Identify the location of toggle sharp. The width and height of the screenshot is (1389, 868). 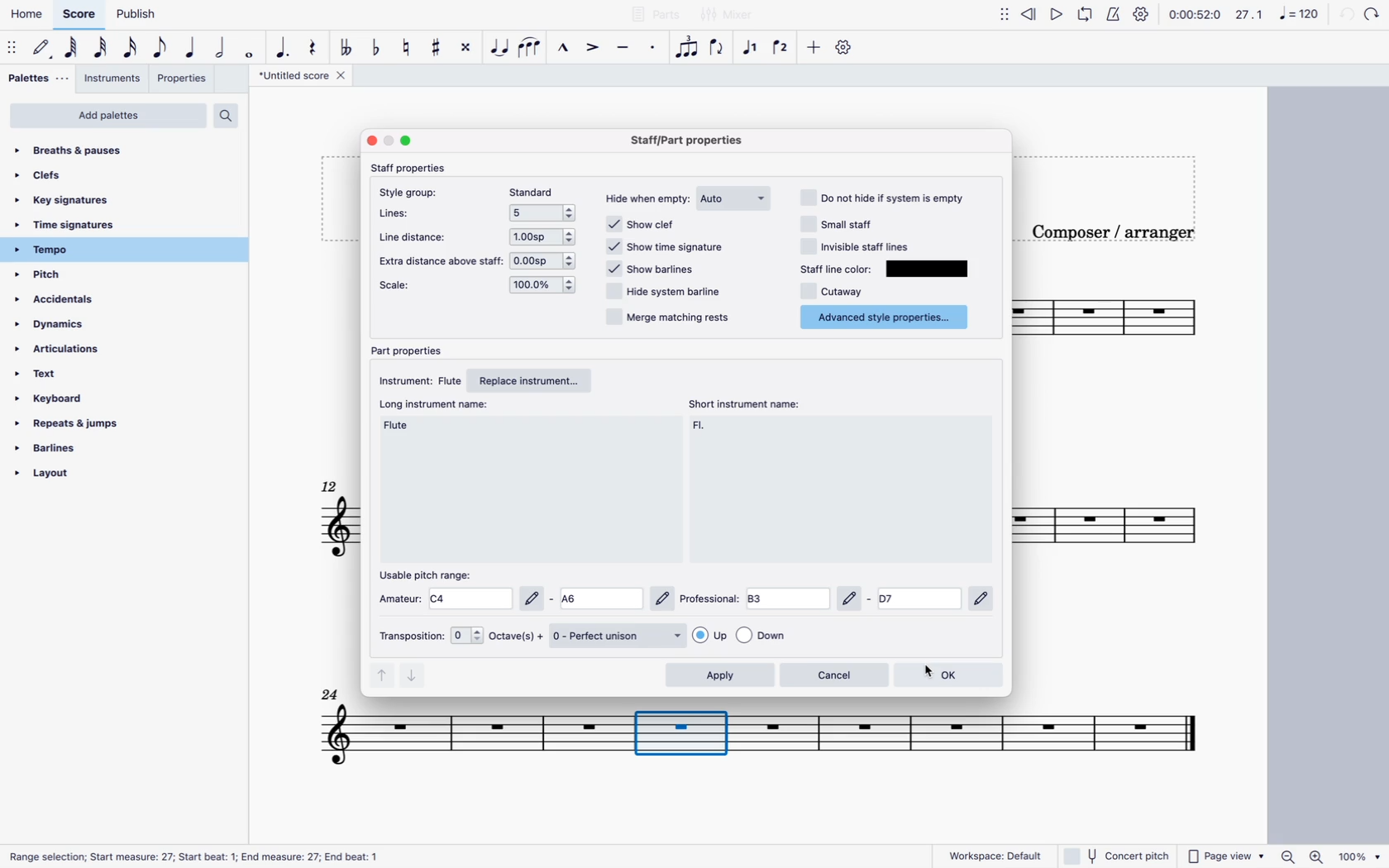
(436, 50).